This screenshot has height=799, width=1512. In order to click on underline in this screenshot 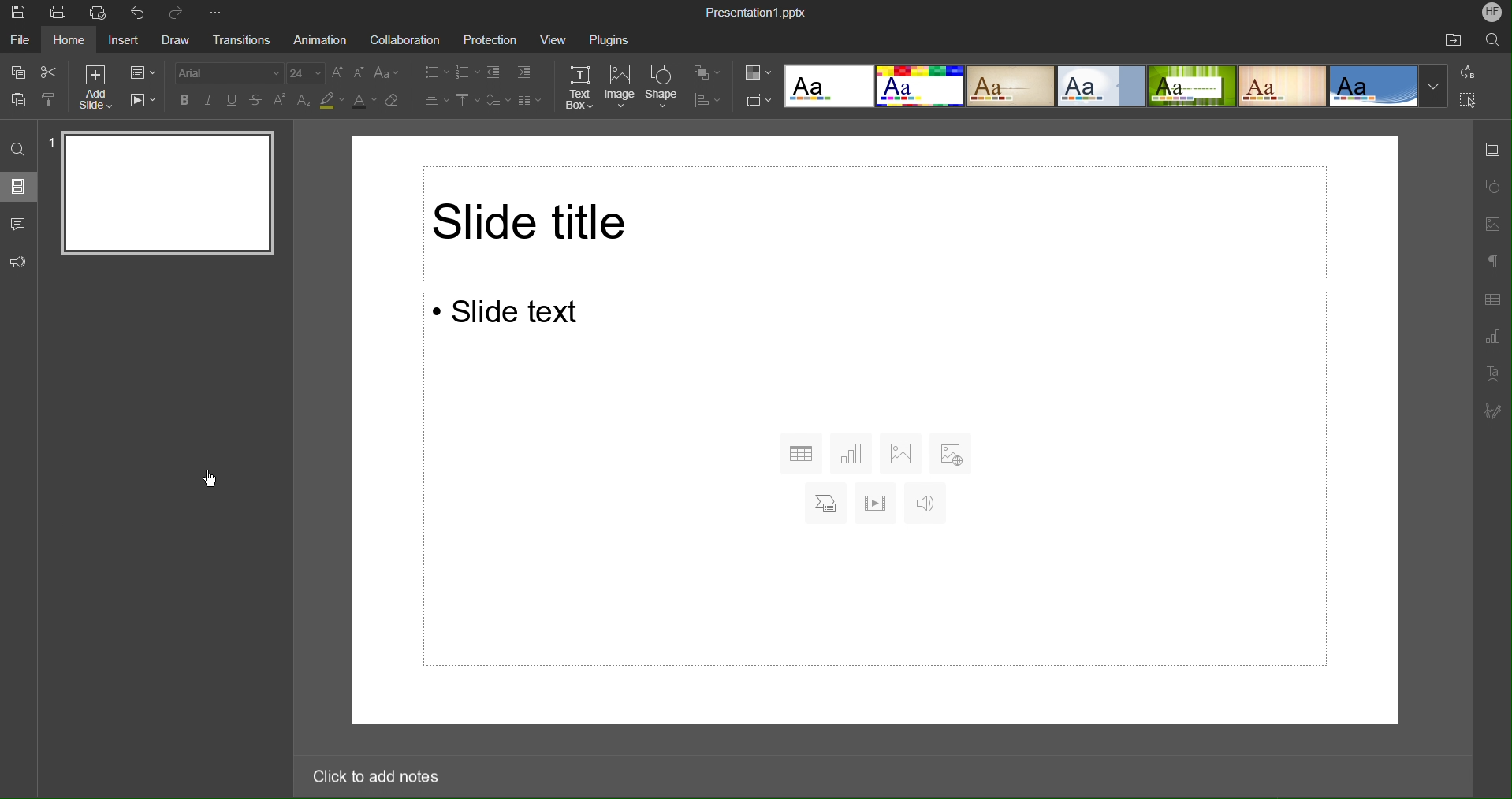, I will do `click(233, 98)`.